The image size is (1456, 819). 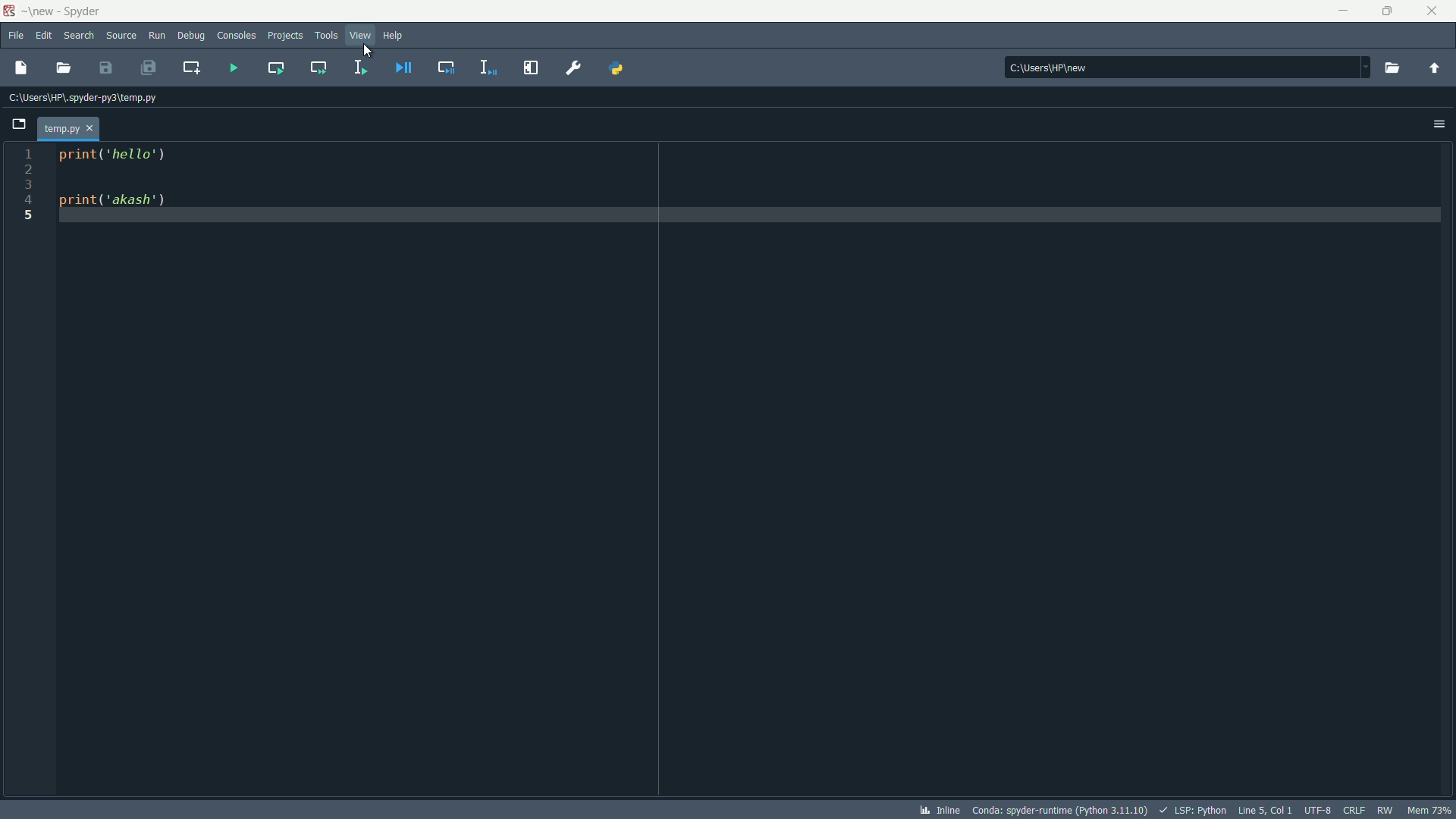 I want to click on view menu, so click(x=360, y=35).